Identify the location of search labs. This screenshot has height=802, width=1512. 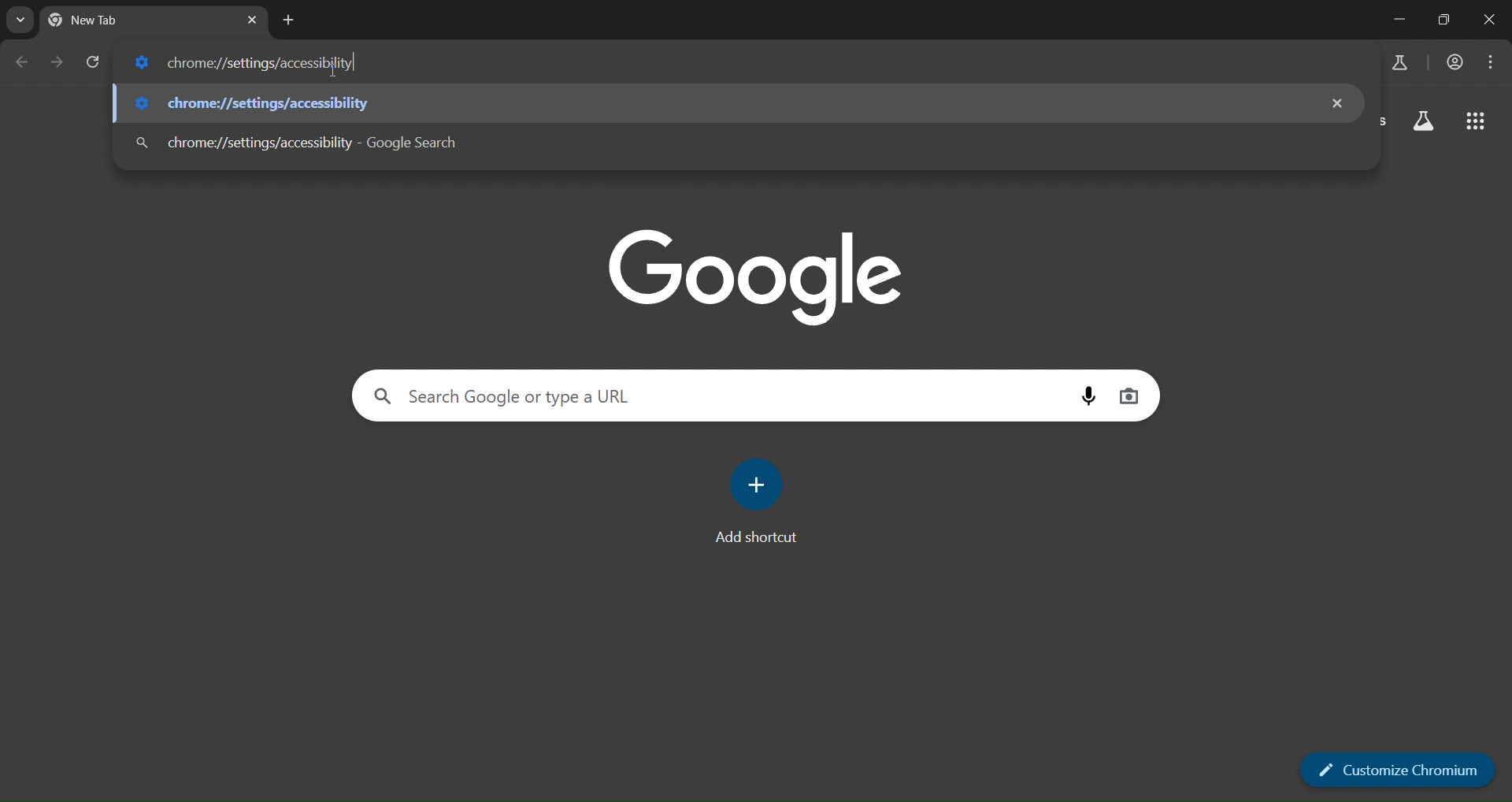
(1421, 122).